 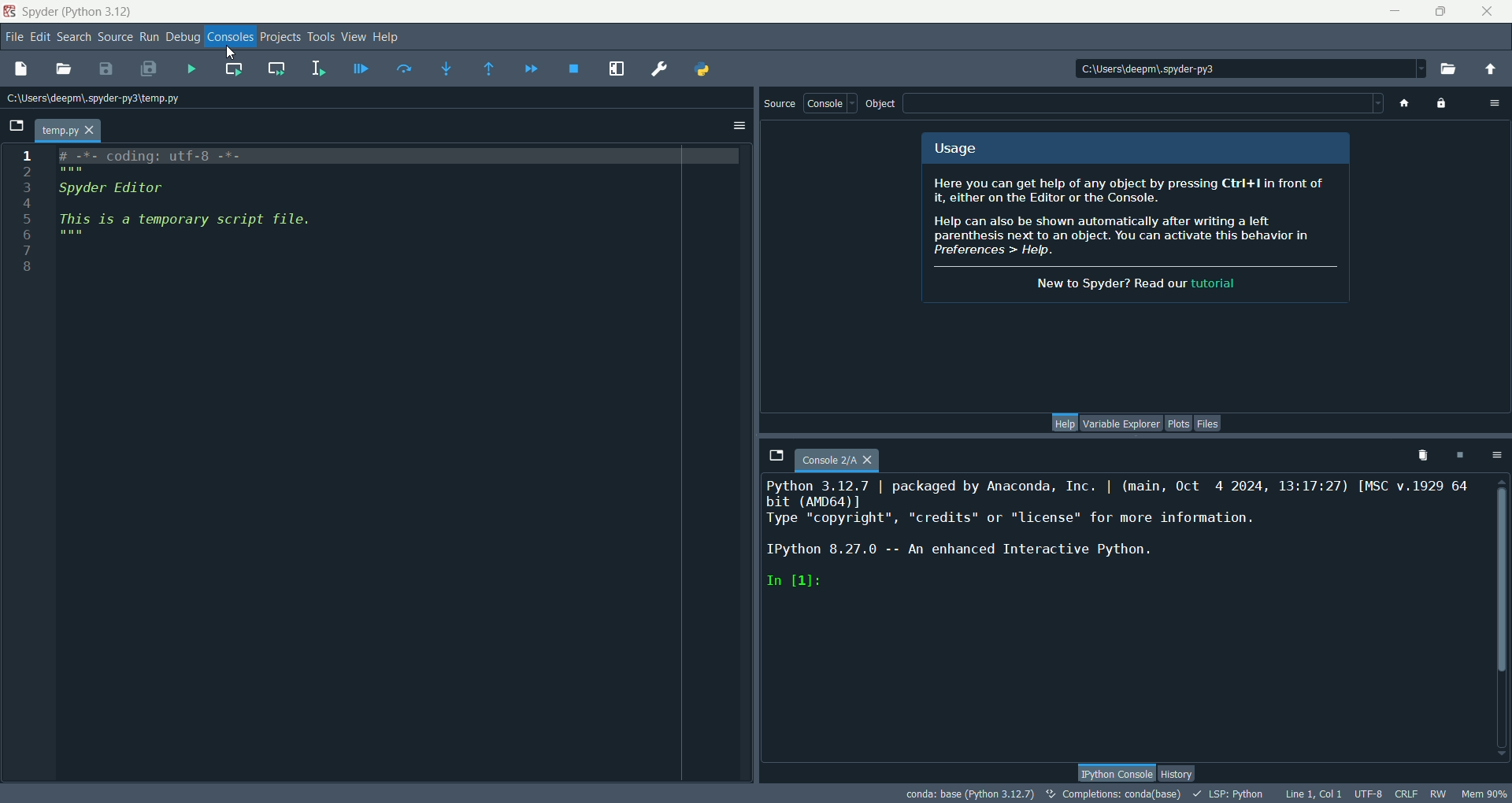 I want to click on logo, so click(x=10, y=13).